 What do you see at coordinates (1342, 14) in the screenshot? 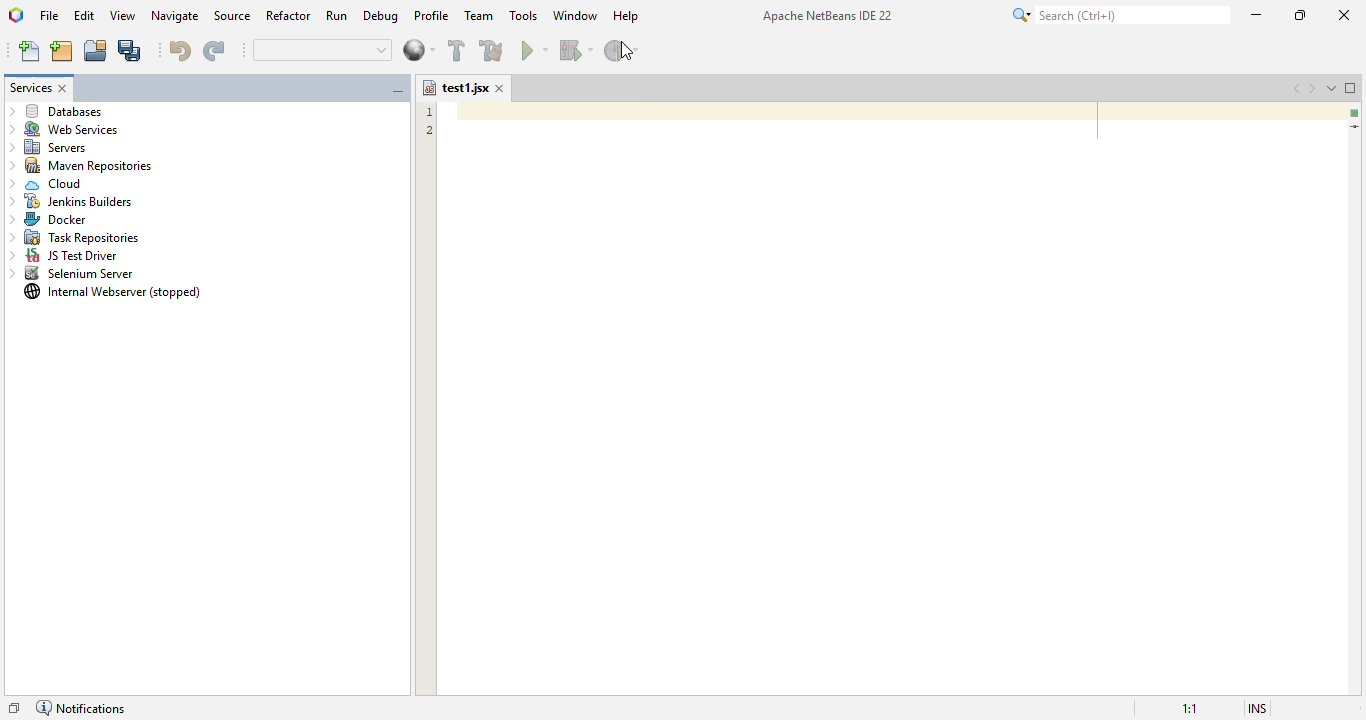
I see `close` at bounding box center [1342, 14].